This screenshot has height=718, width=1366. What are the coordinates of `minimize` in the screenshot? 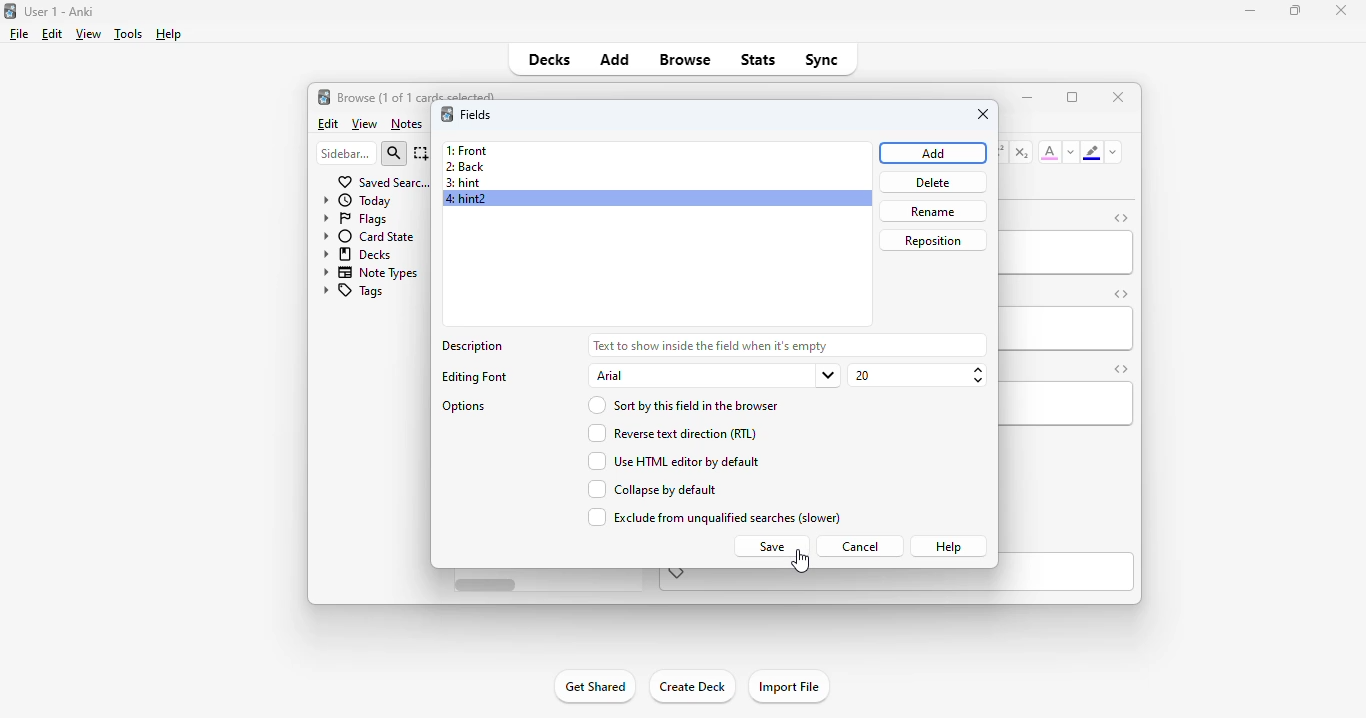 It's located at (1027, 96).